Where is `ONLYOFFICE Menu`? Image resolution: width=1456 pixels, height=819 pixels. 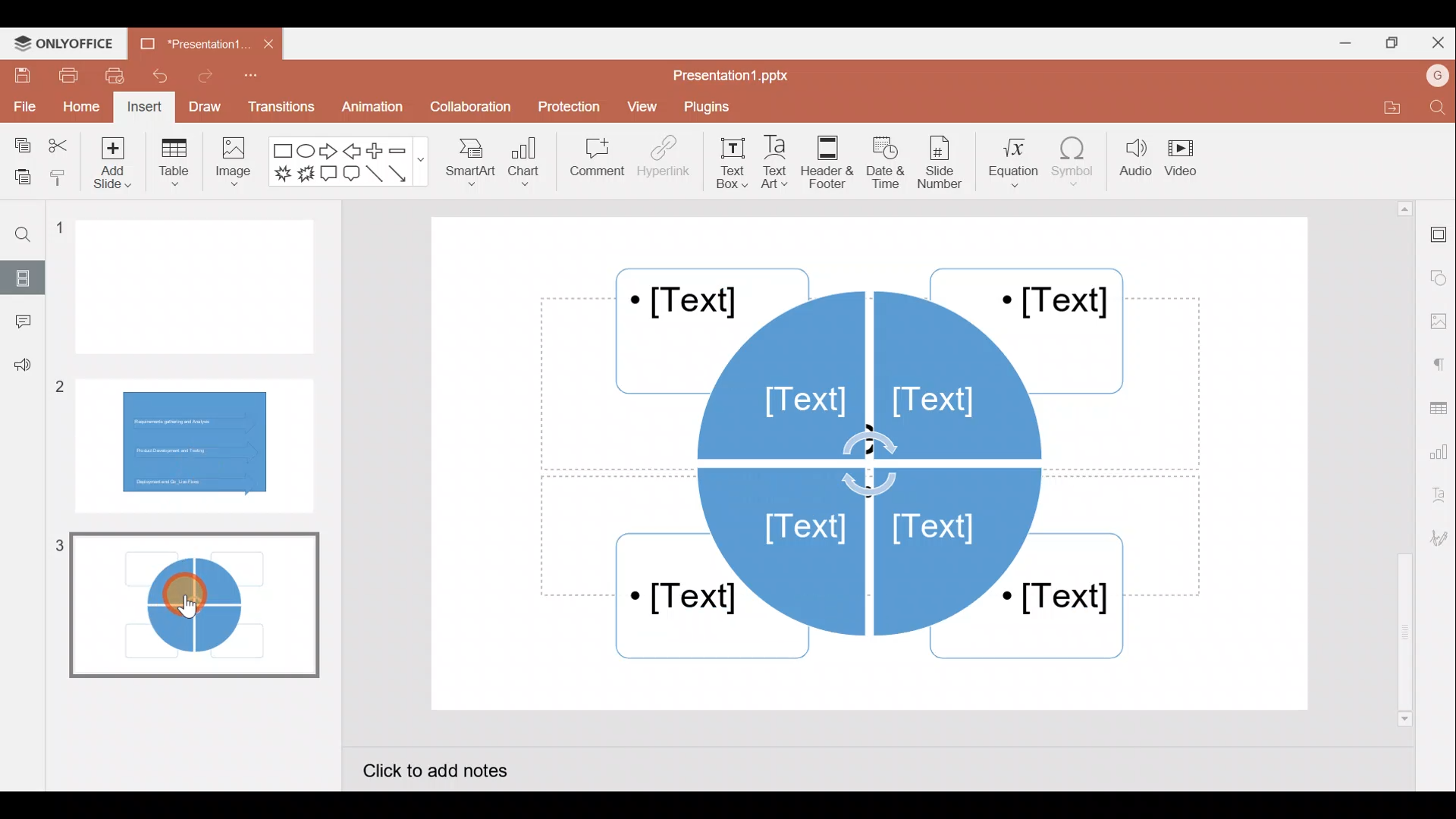
ONLYOFFICE Menu is located at coordinates (72, 44).